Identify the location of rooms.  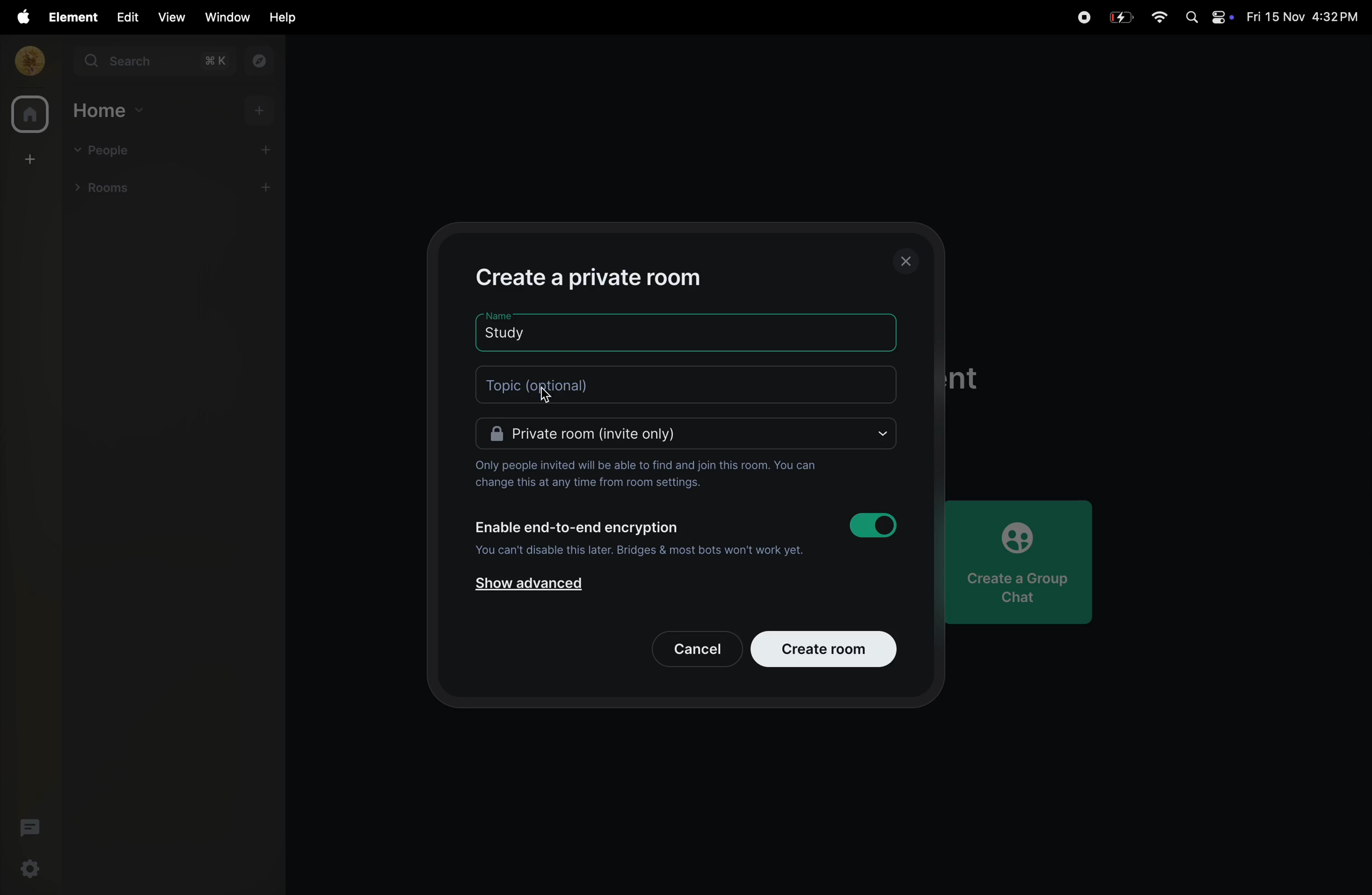
(114, 190).